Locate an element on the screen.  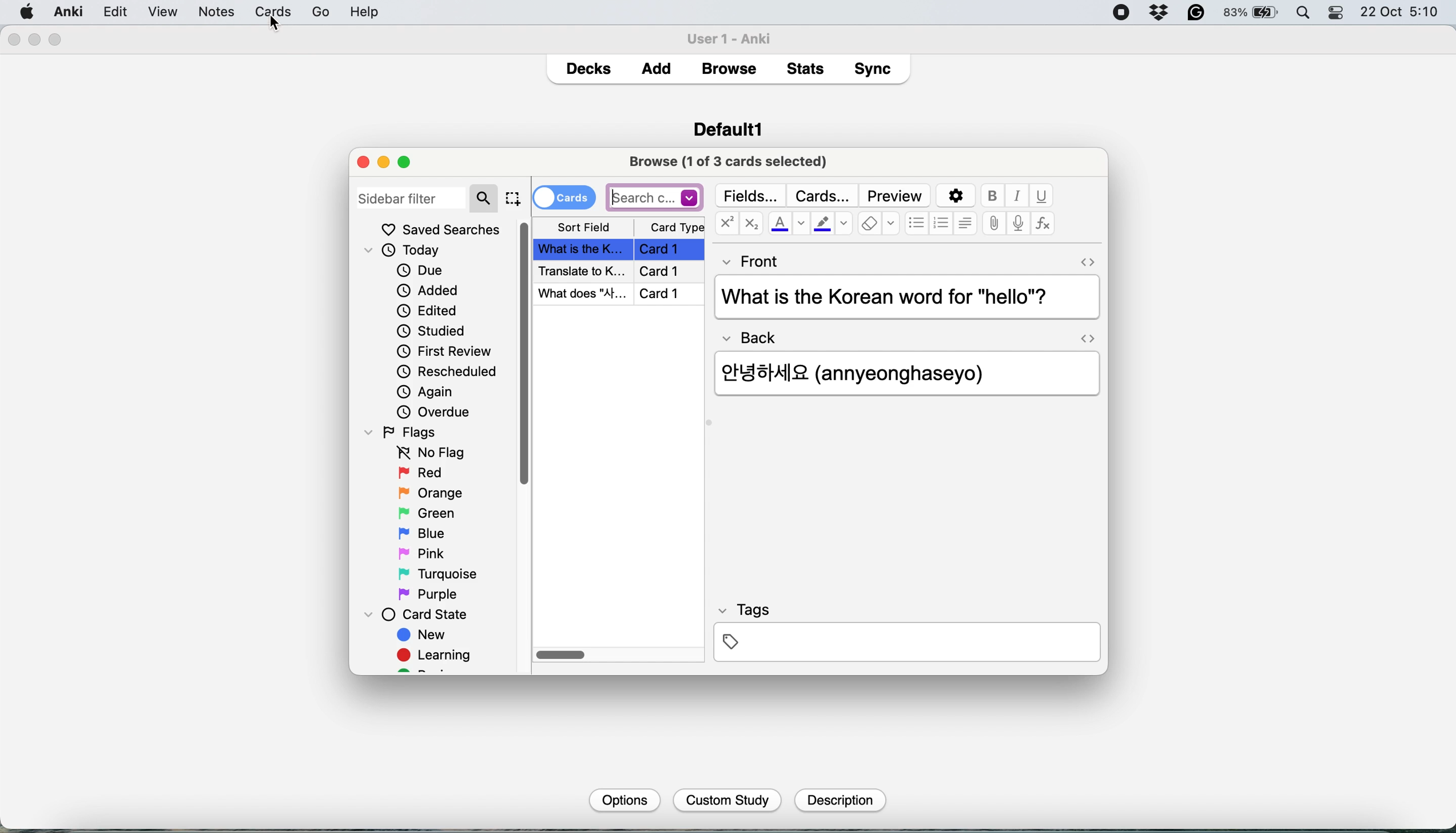
numbered list is located at coordinates (942, 225).